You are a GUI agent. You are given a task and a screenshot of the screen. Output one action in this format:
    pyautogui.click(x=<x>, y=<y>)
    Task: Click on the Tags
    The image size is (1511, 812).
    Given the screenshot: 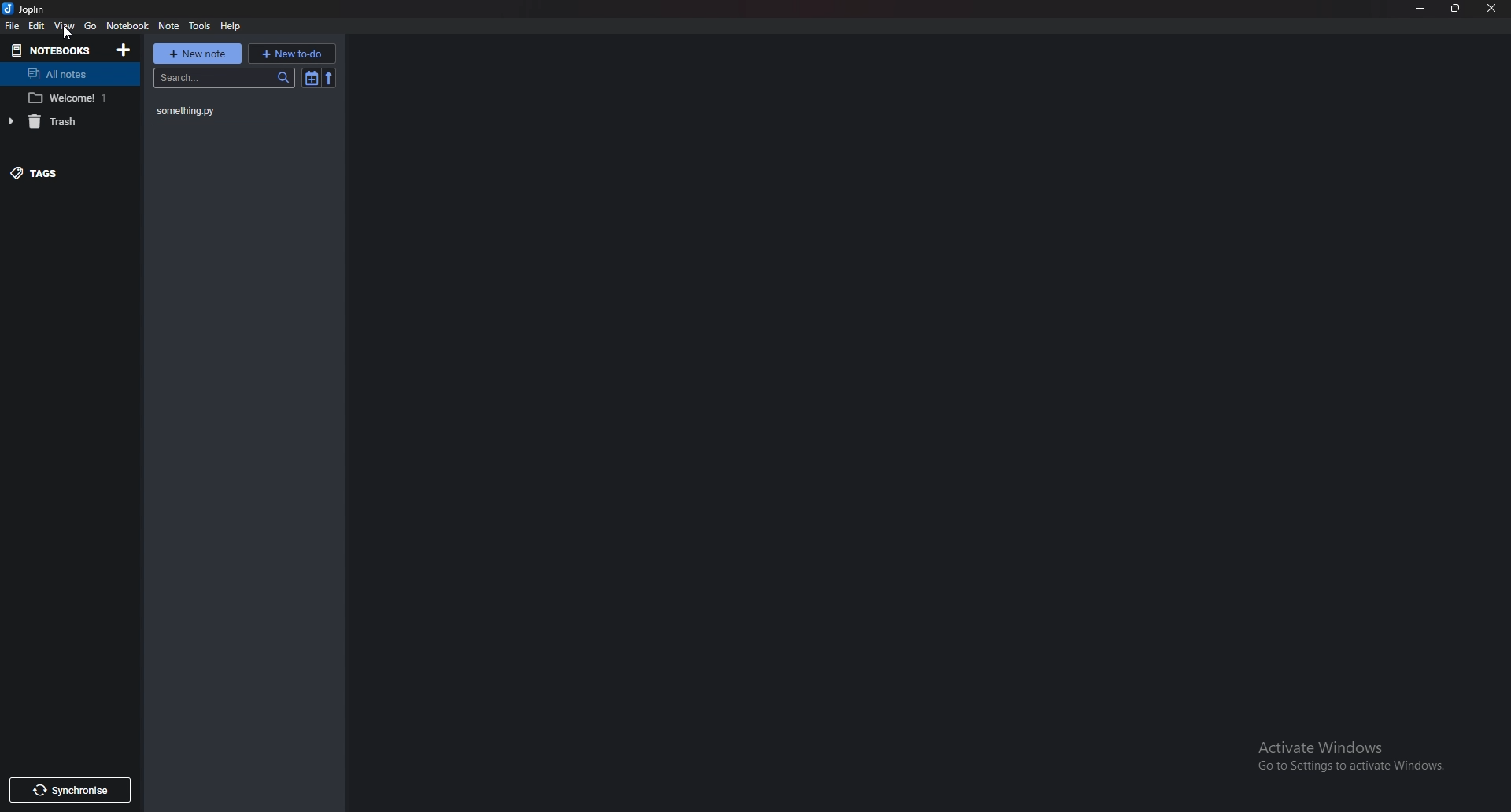 What is the action you would take?
    pyautogui.click(x=54, y=174)
    